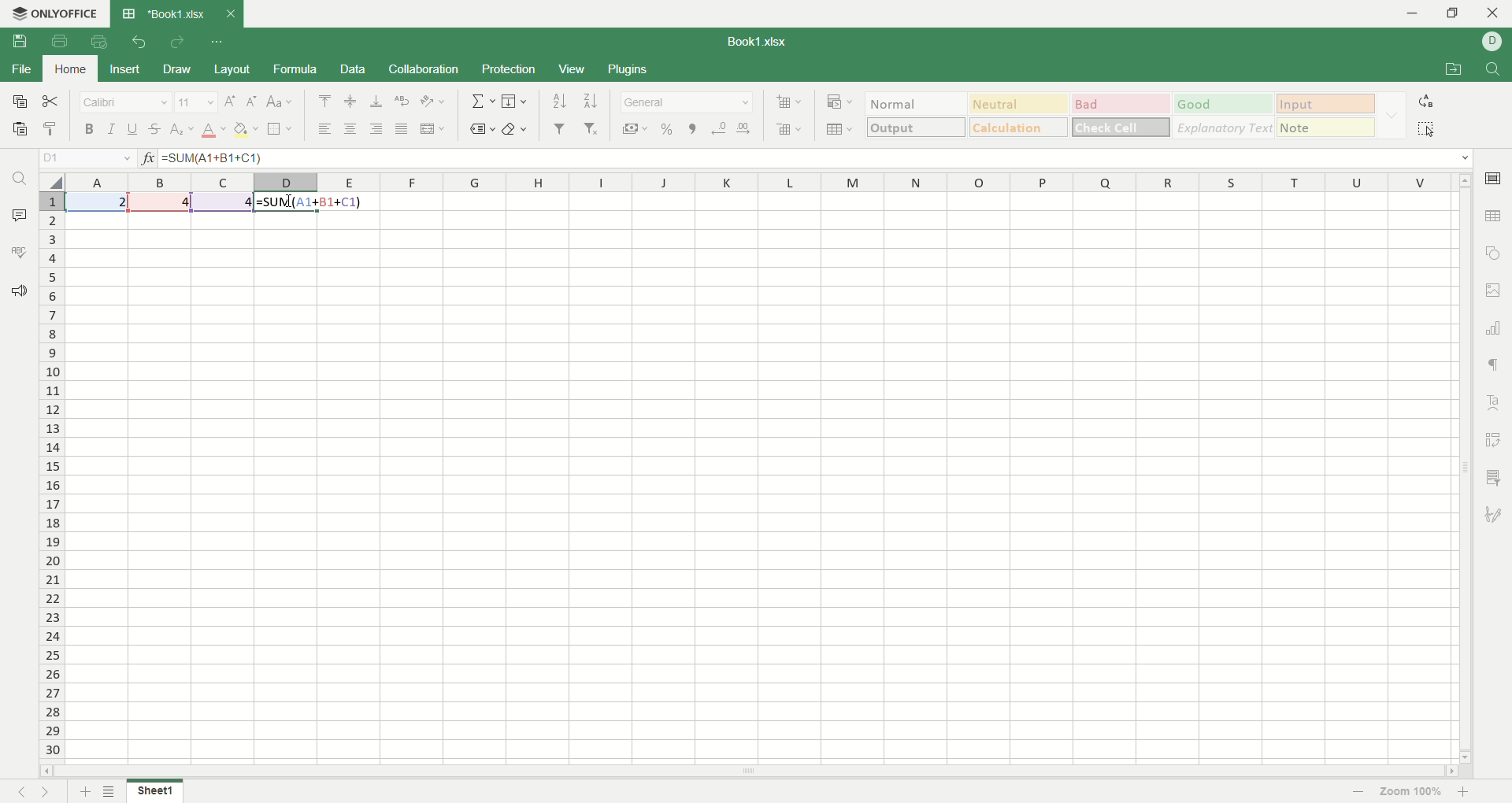 This screenshot has width=1512, height=803. What do you see at coordinates (1494, 367) in the screenshot?
I see `paragraph settings` at bounding box center [1494, 367].